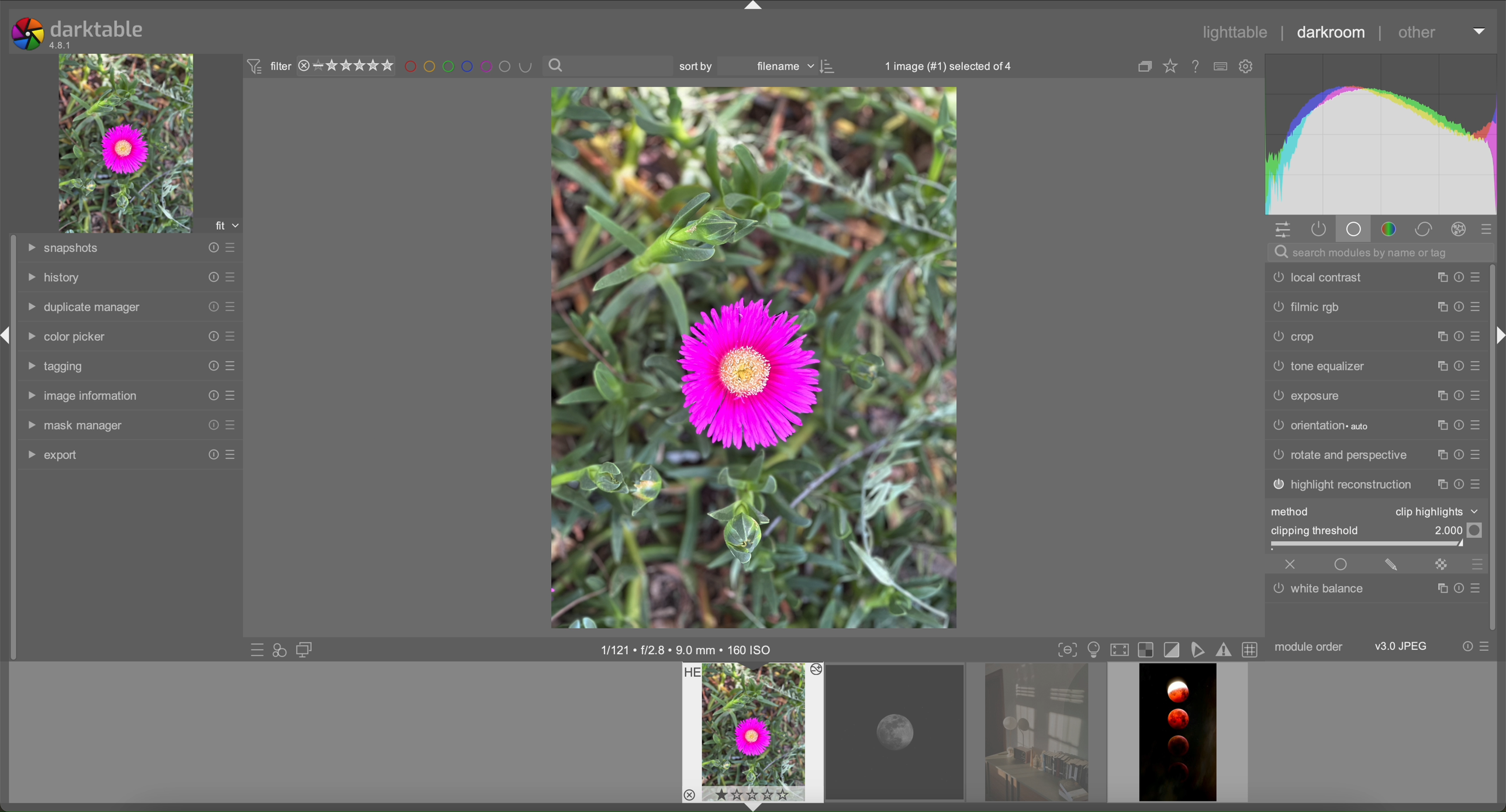  Describe the element at coordinates (1500, 336) in the screenshot. I see `arrow` at that location.